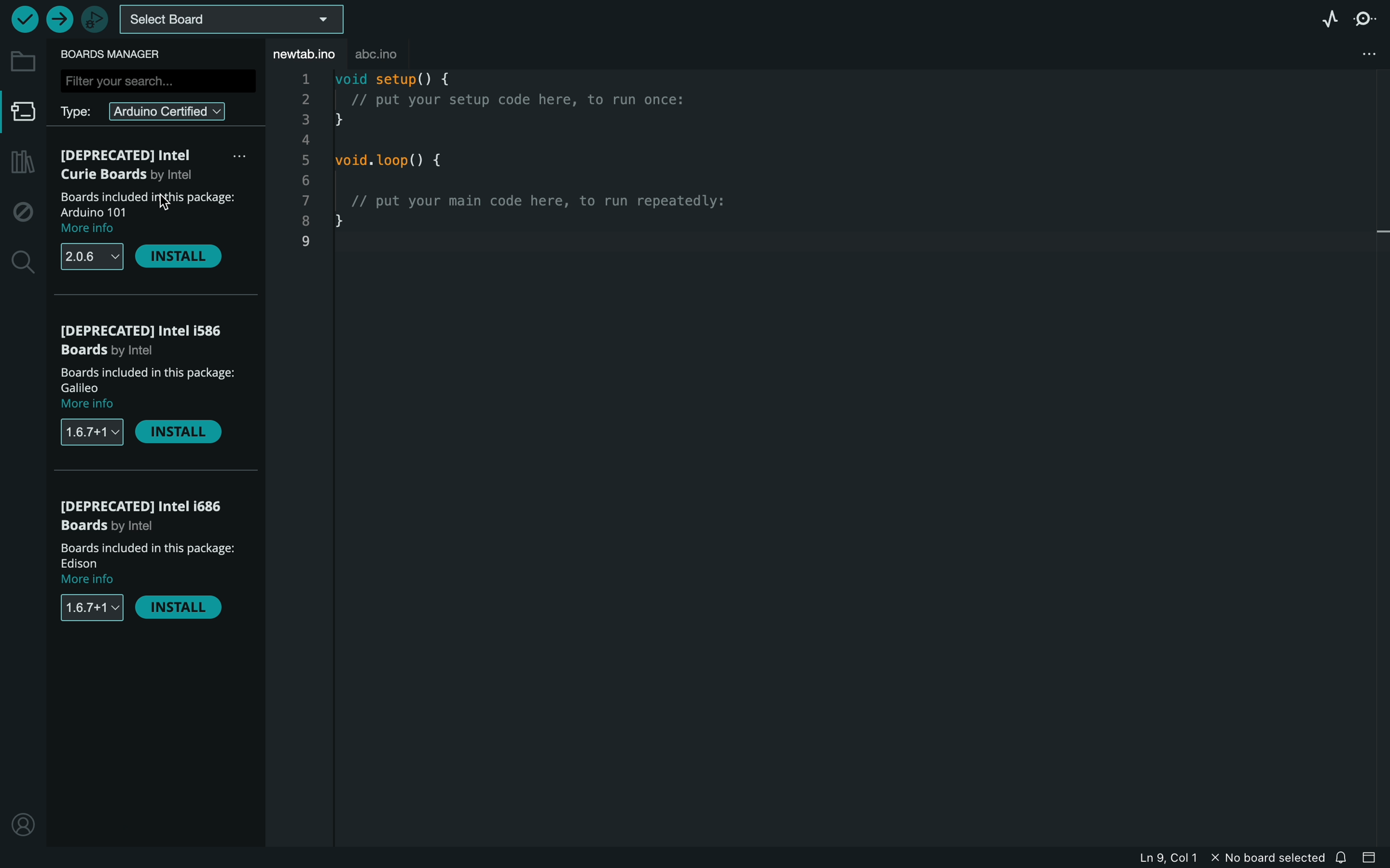 The width and height of the screenshot is (1390, 868). Describe the element at coordinates (181, 609) in the screenshot. I see `install` at that location.